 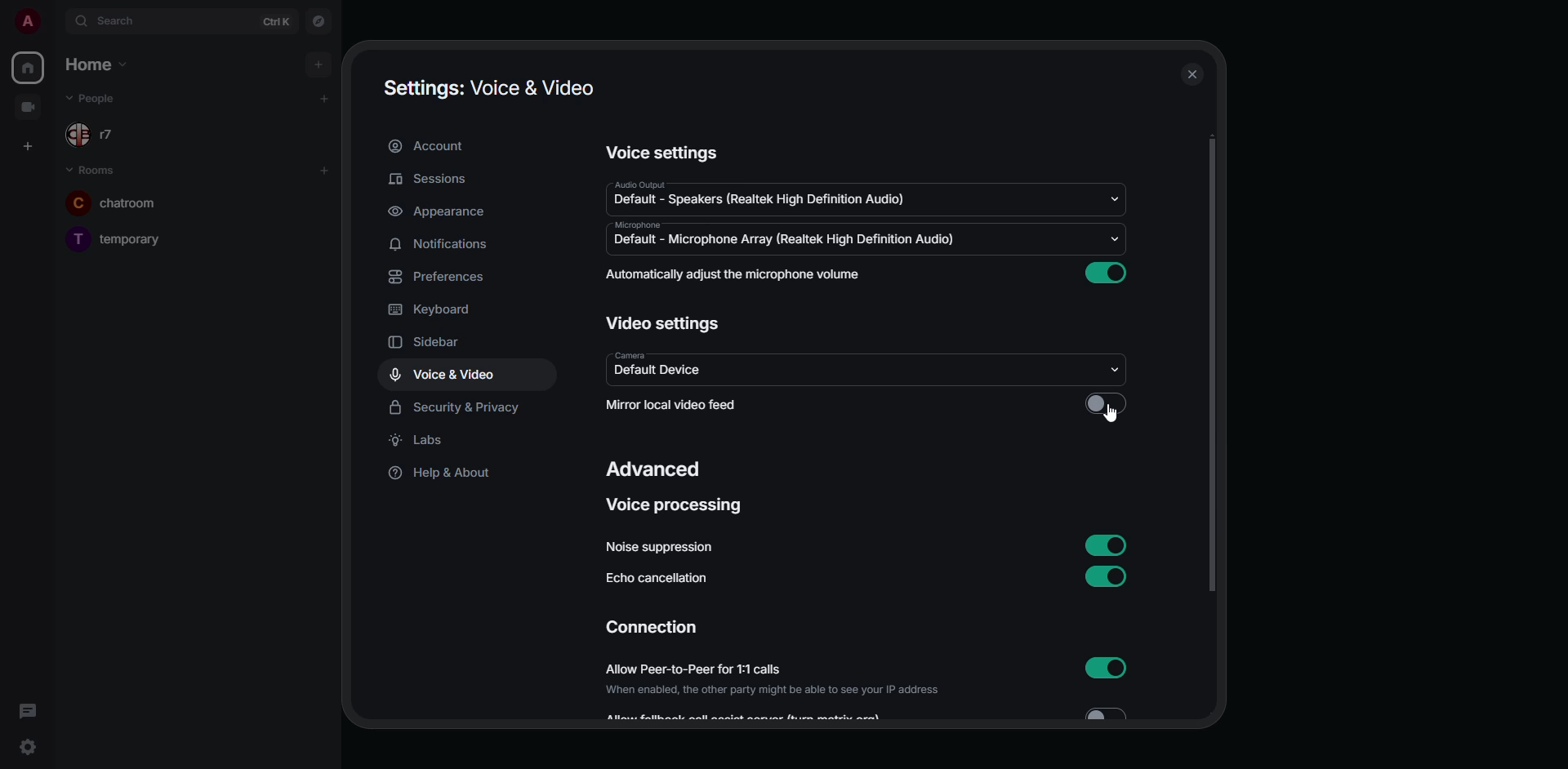 What do you see at coordinates (28, 748) in the screenshot?
I see `quick settings` at bounding box center [28, 748].